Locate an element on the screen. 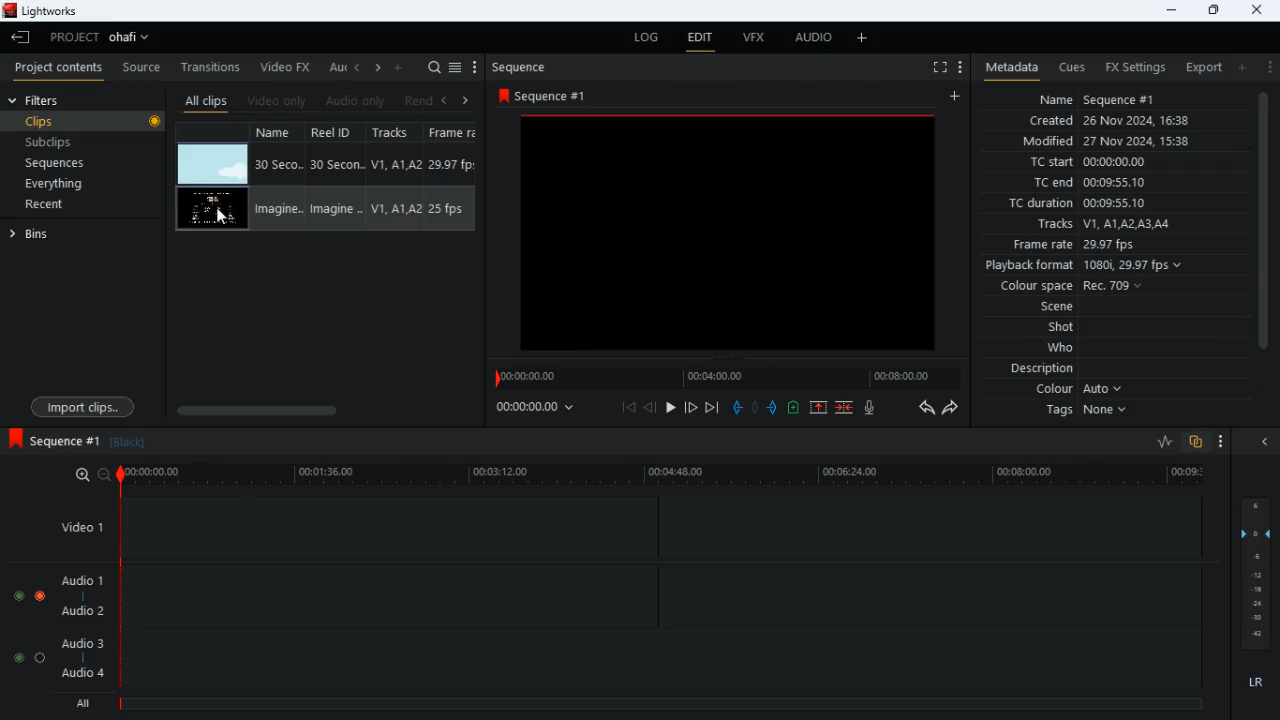 The image size is (1280, 720). backwards is located at coordinates (925, 408).